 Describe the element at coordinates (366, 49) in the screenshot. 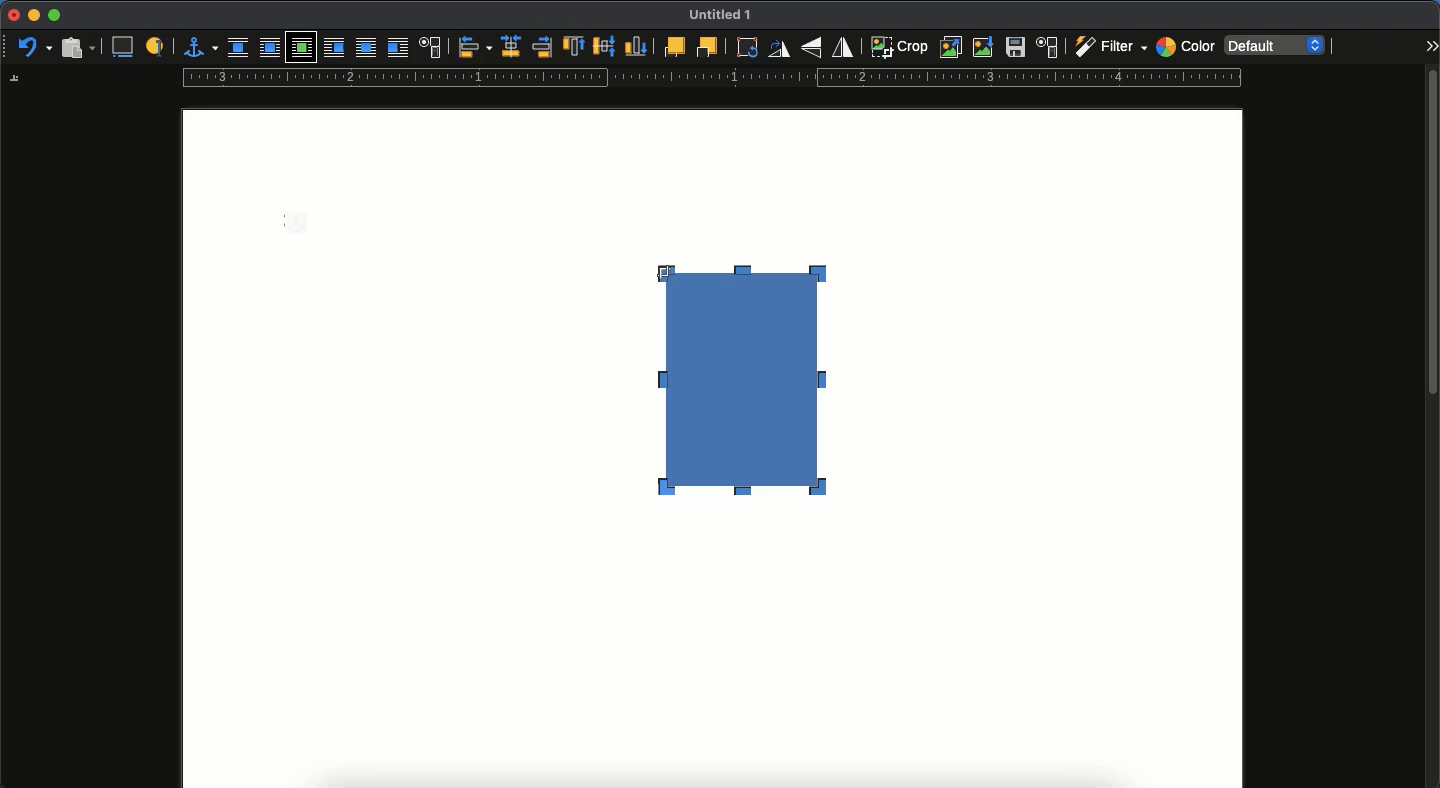

I see `through` at that location.